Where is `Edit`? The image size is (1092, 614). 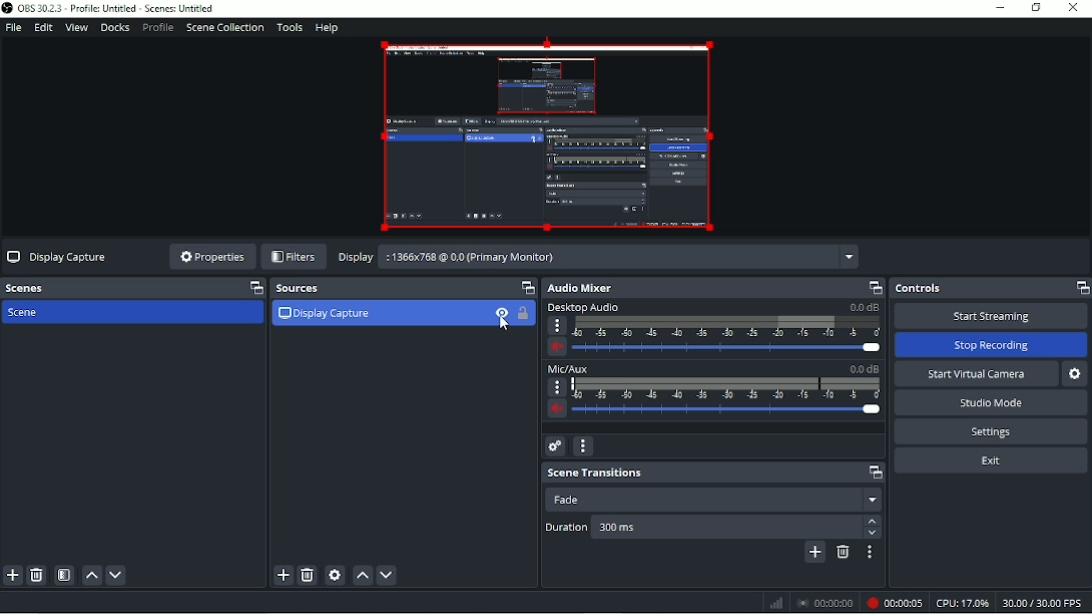
Edit is located at coordinates (42, 28).